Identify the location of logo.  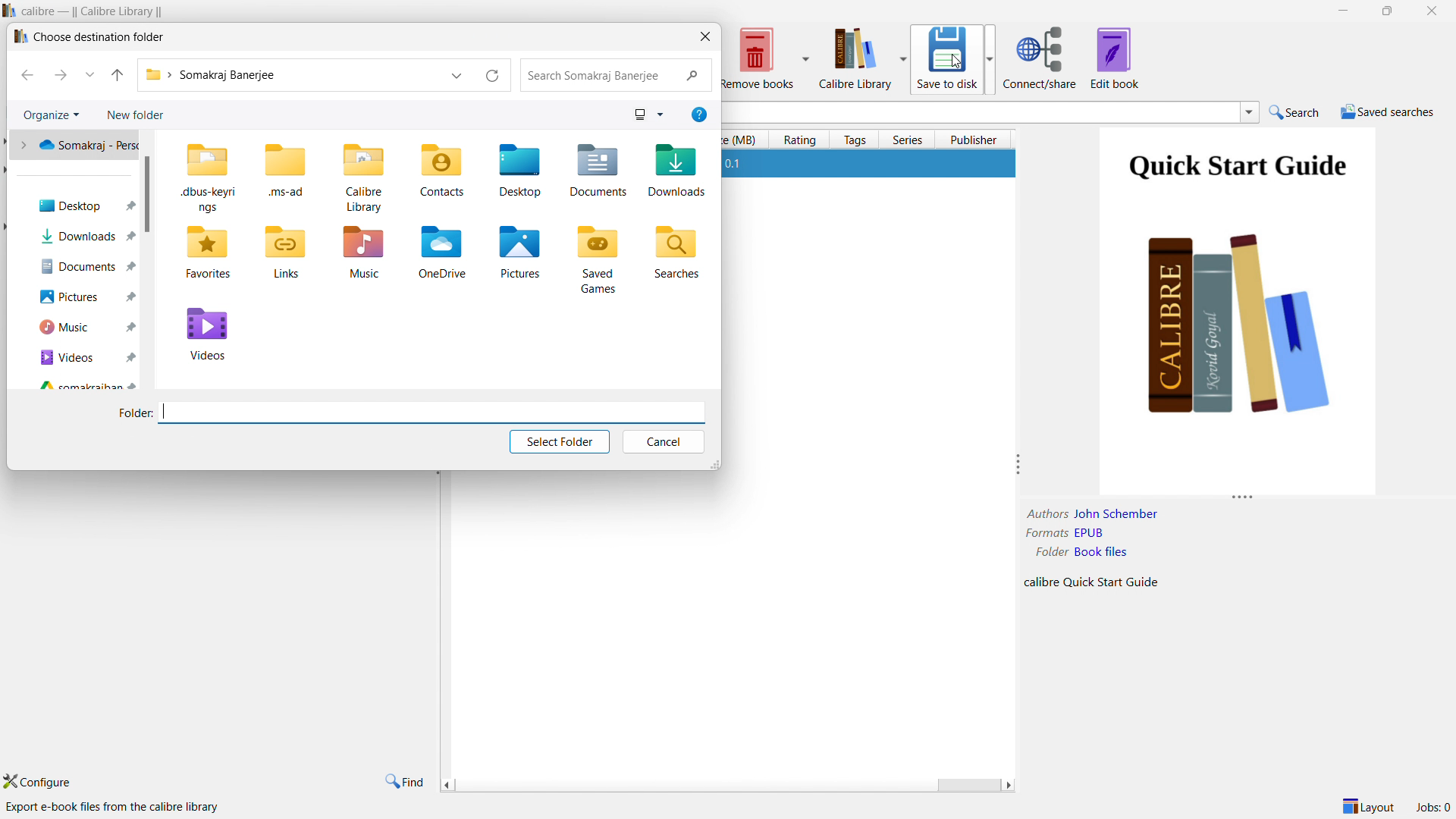
(11, 11).